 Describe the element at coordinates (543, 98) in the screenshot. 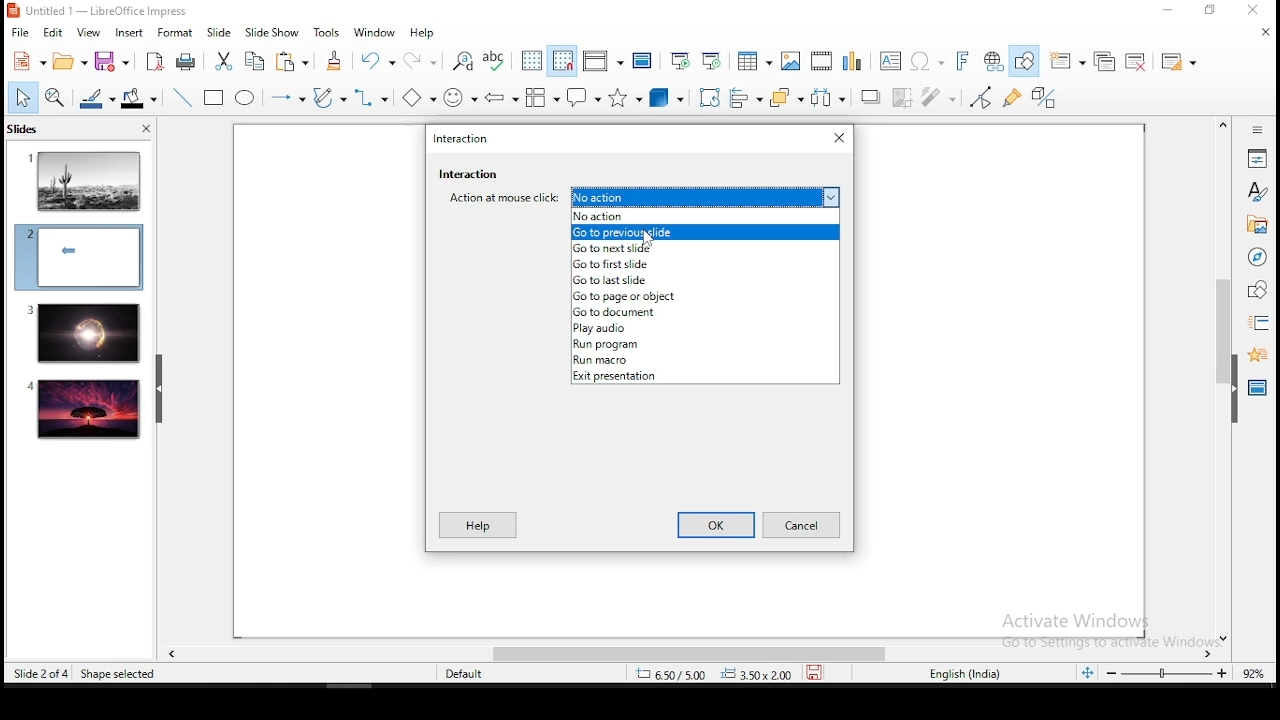

I see `flowchart` at that location.